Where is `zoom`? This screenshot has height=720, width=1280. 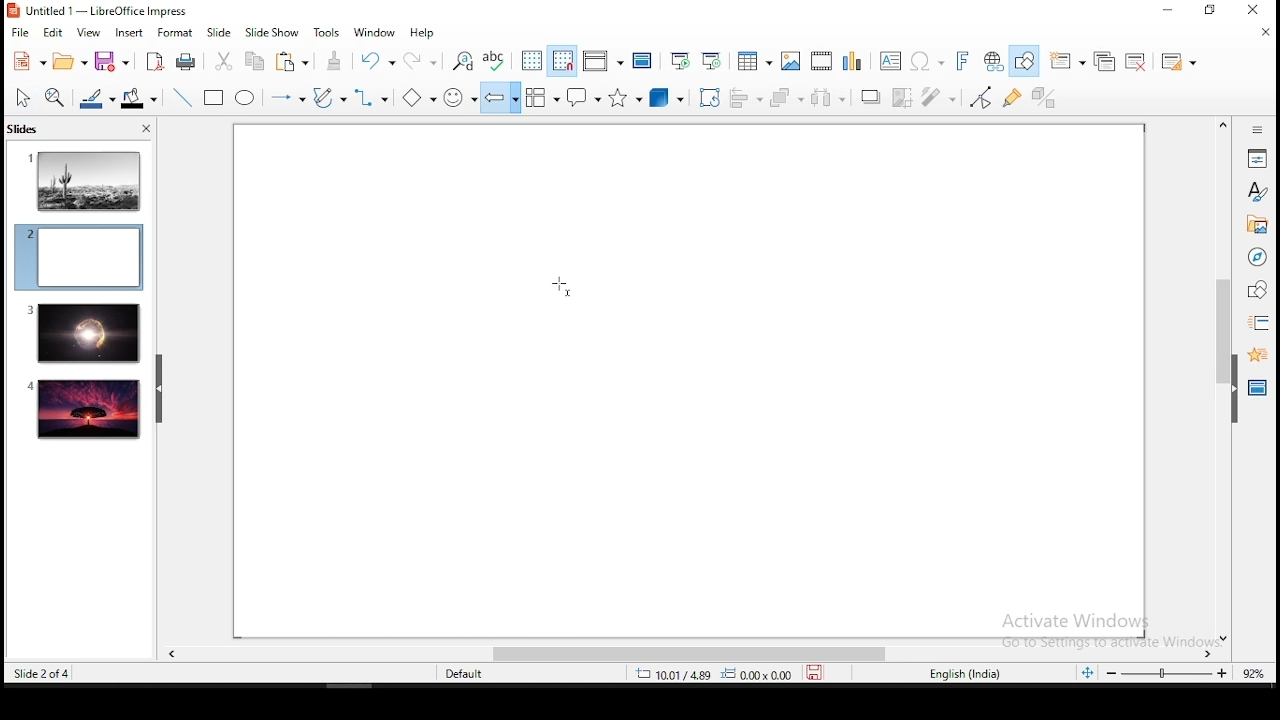
zoom is located at coordinates (1168, 673).